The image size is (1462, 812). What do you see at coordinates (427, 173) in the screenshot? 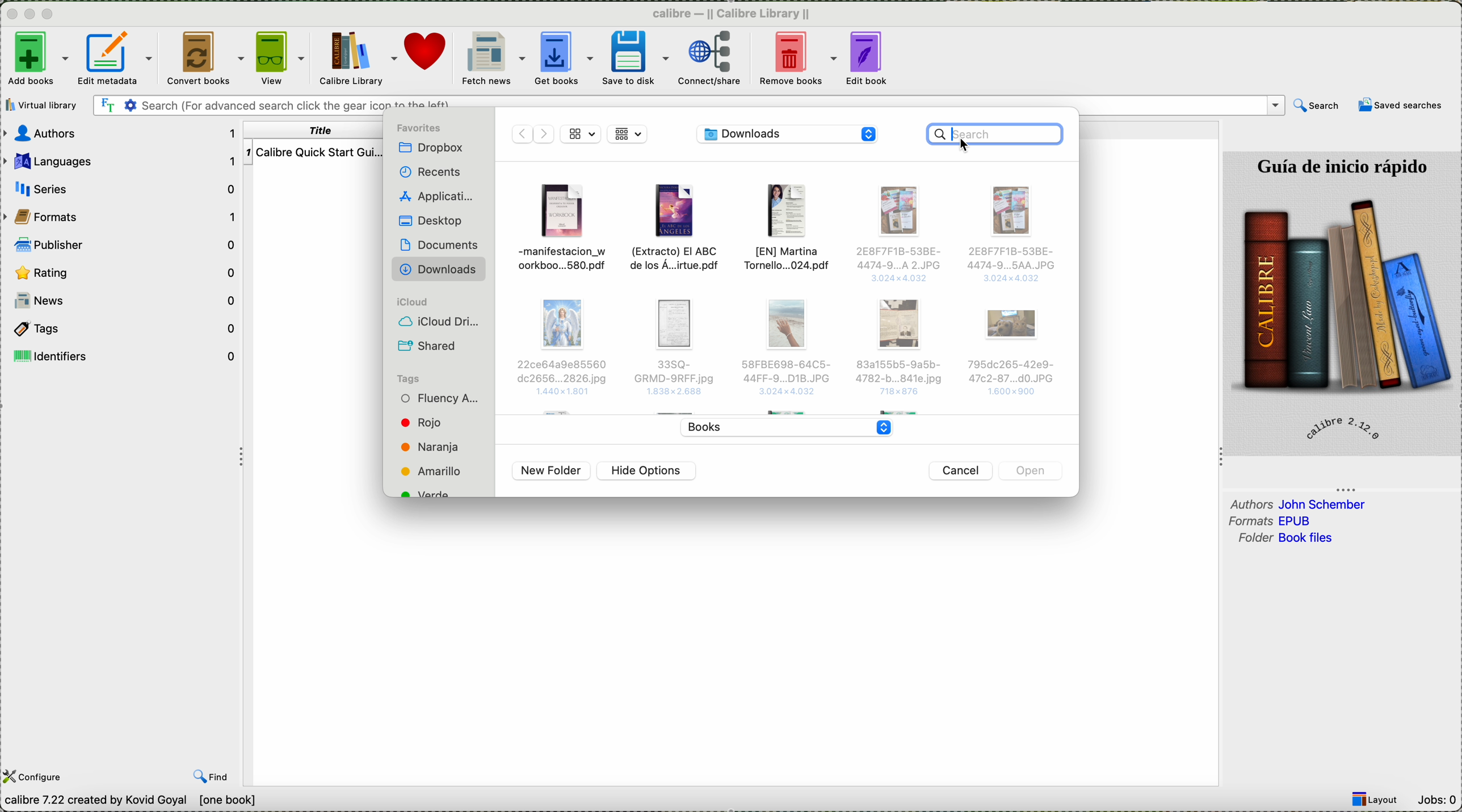
I see `recents` at bounding box center [427, 173].